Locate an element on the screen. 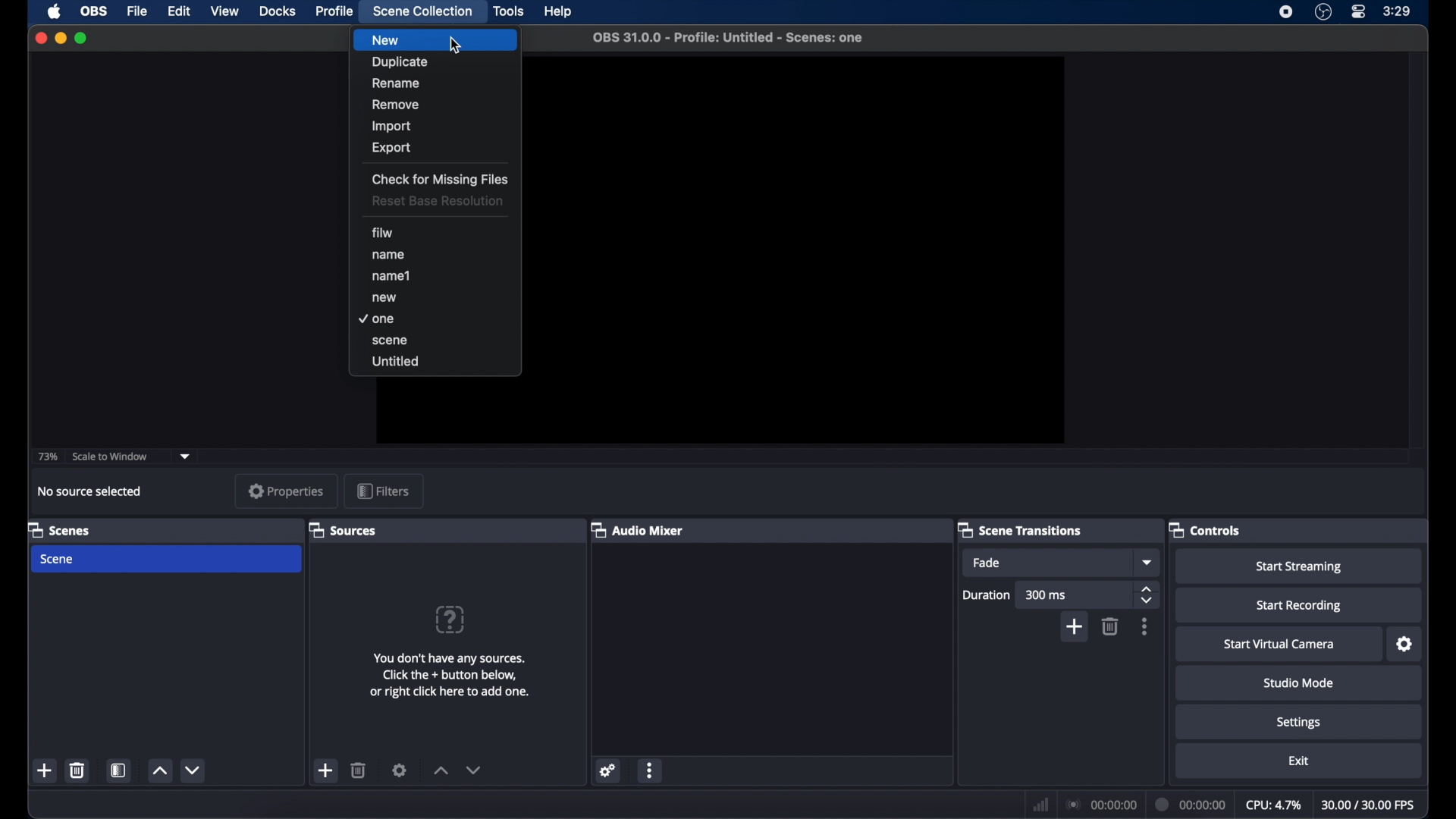 The height and width of the screenshot is (819, 1456). docks is located at coordinates (278, 11).